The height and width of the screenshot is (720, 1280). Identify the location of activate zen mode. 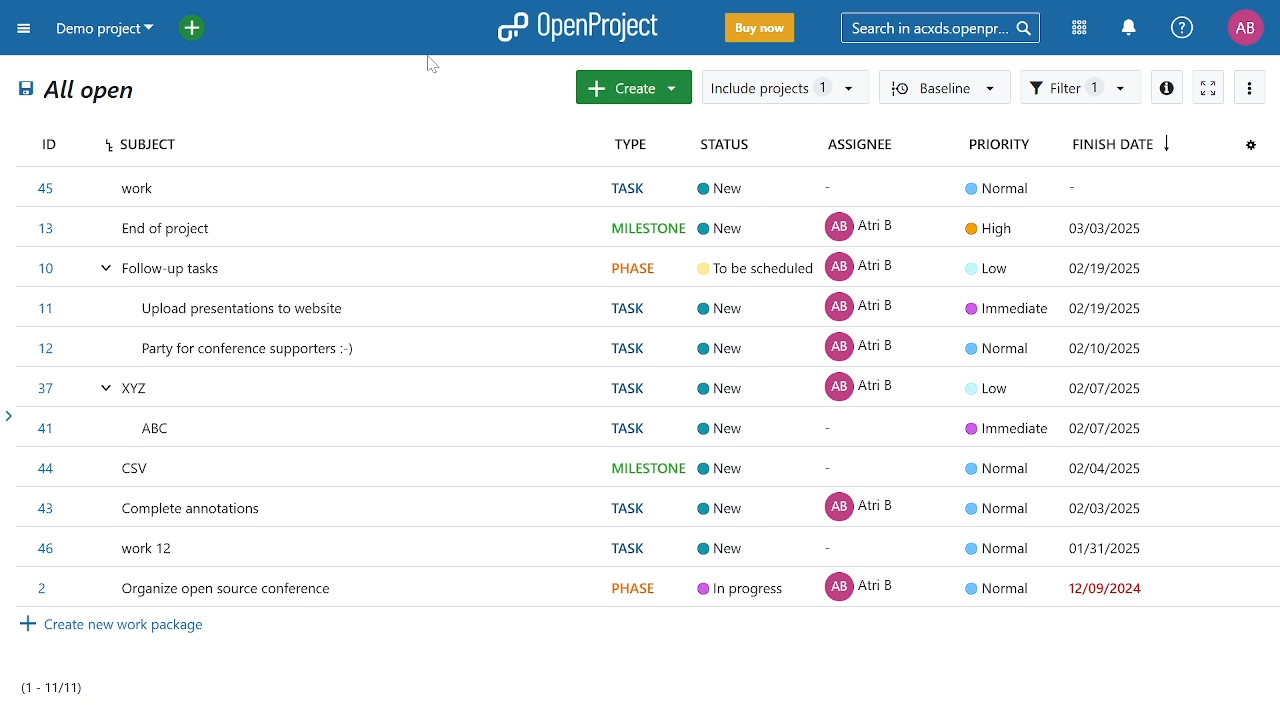
(1211, 86).